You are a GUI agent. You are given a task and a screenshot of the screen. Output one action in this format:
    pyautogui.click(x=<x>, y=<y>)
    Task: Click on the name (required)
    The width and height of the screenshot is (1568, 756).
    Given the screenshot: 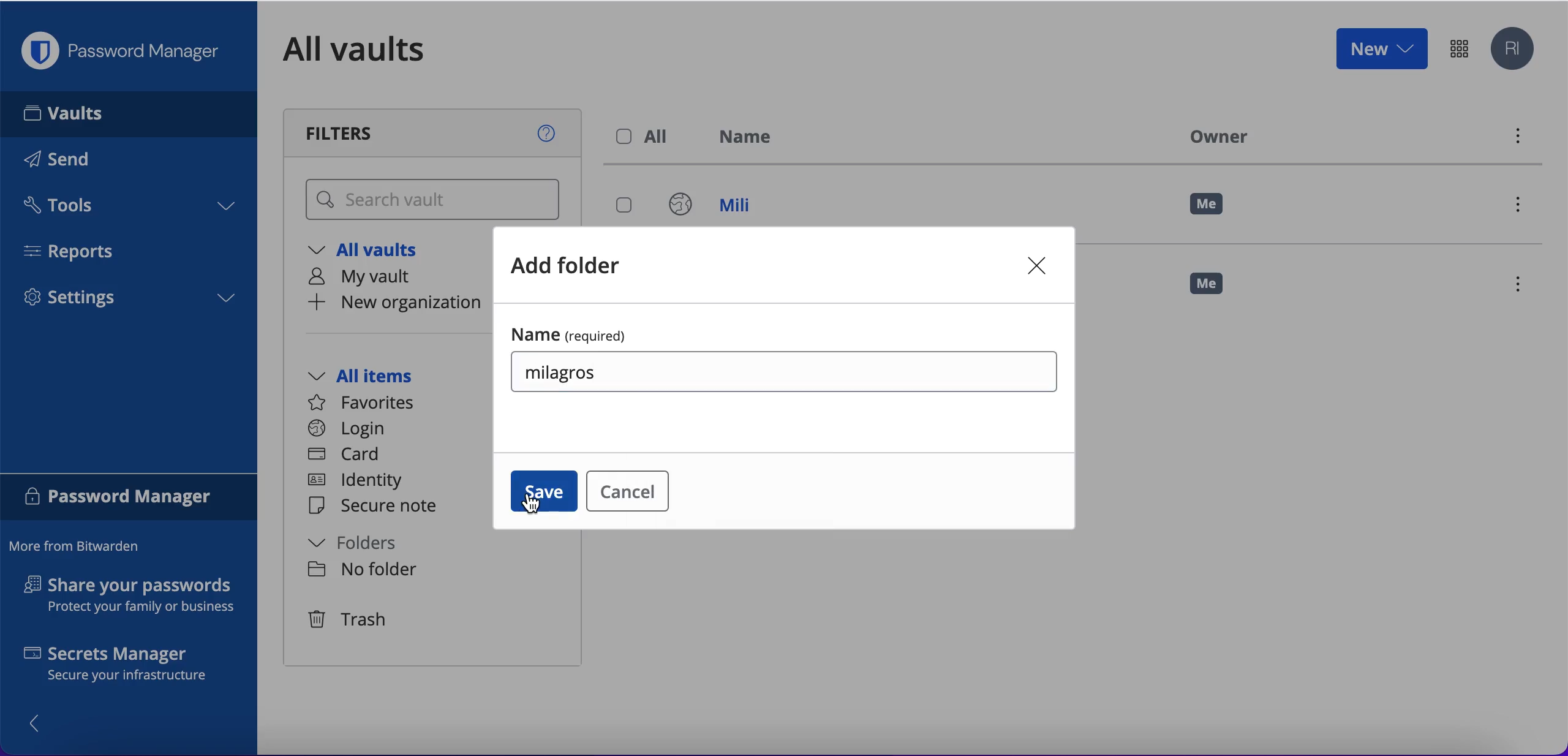 What is the action you would take?
    pyautogui.click(x=576, y=331)
    